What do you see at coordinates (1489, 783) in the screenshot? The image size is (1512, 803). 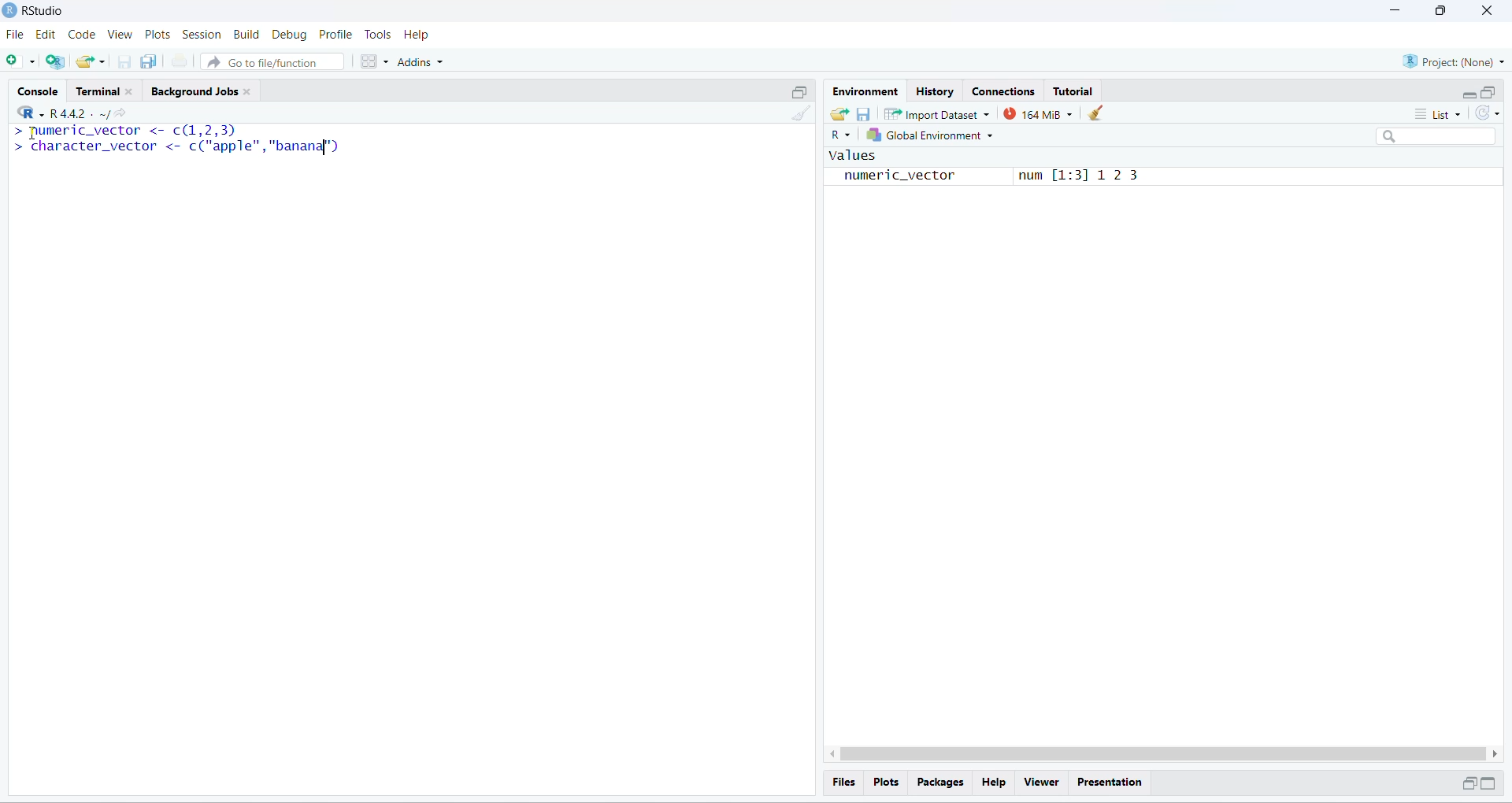 I see `maximize` at bounding box center [1489, 783].